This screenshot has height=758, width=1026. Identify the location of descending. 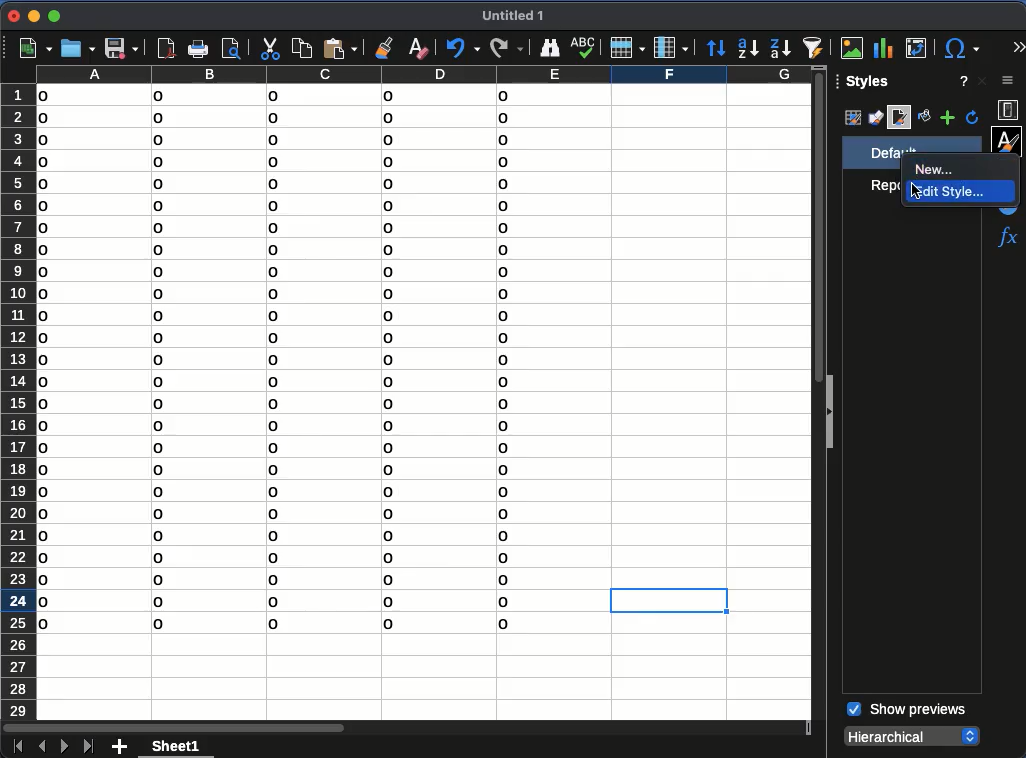
(780, 48).